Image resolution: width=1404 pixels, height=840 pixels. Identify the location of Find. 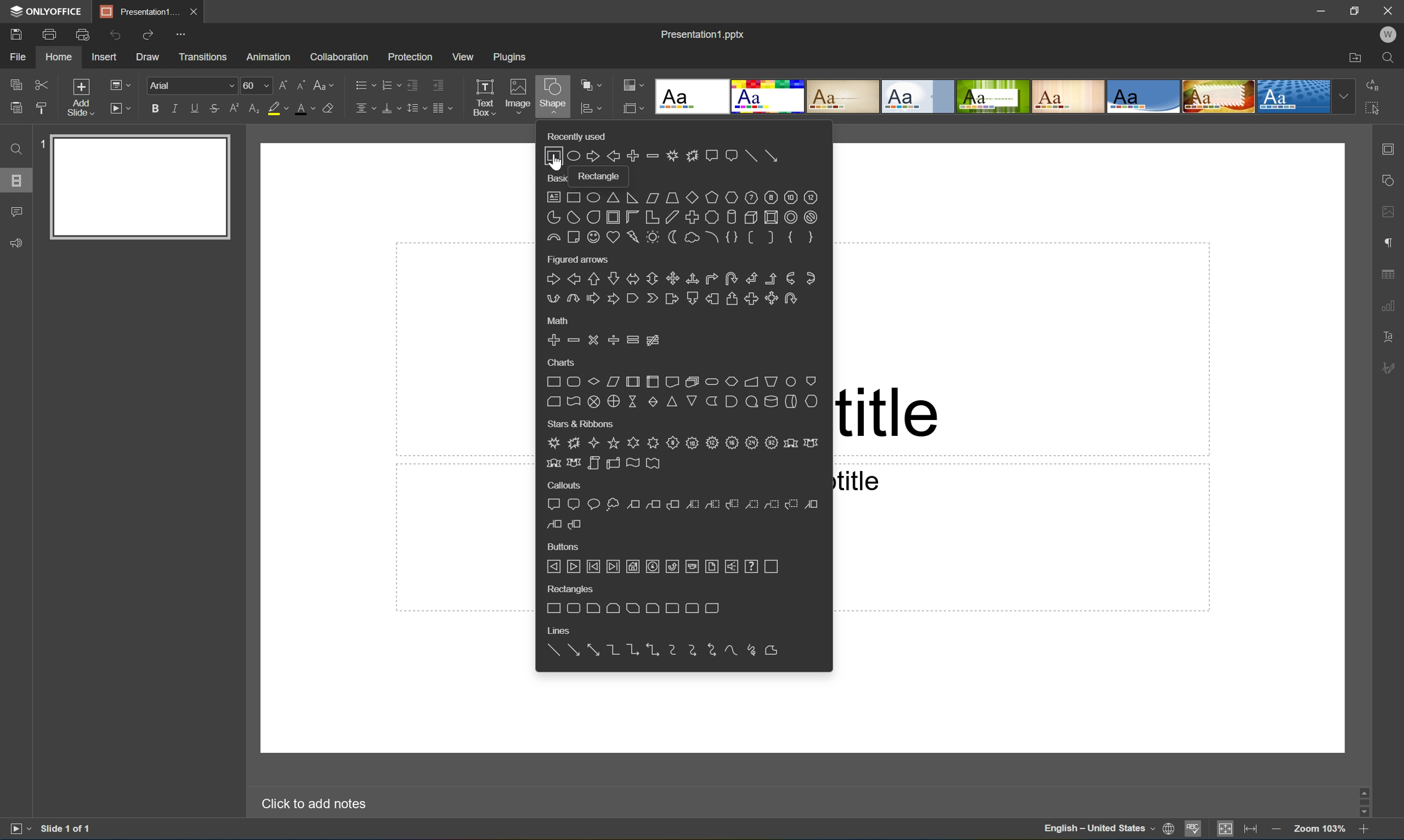
(1388, 58).